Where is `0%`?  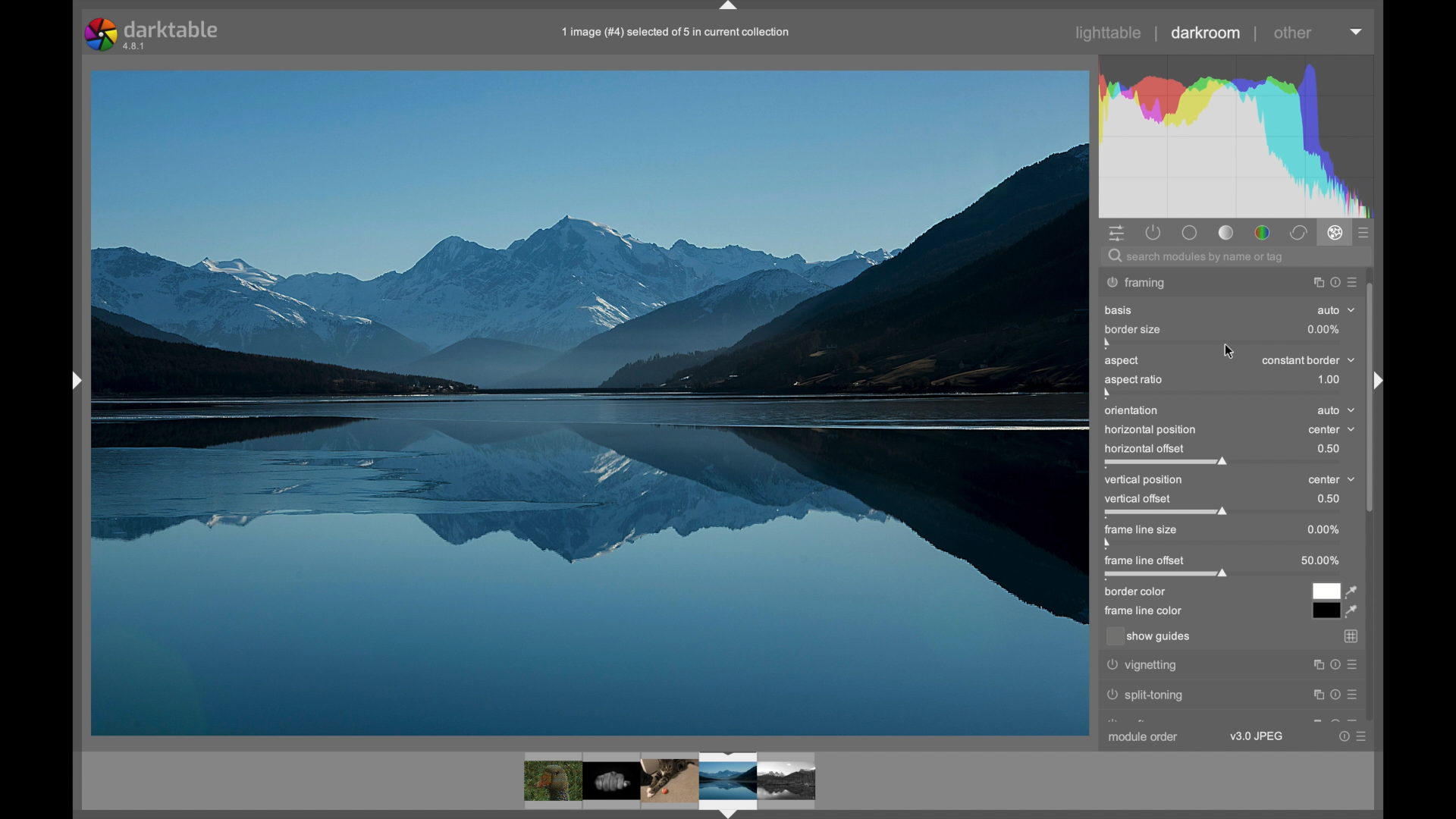
0% is located at coordinates (1323, 530).